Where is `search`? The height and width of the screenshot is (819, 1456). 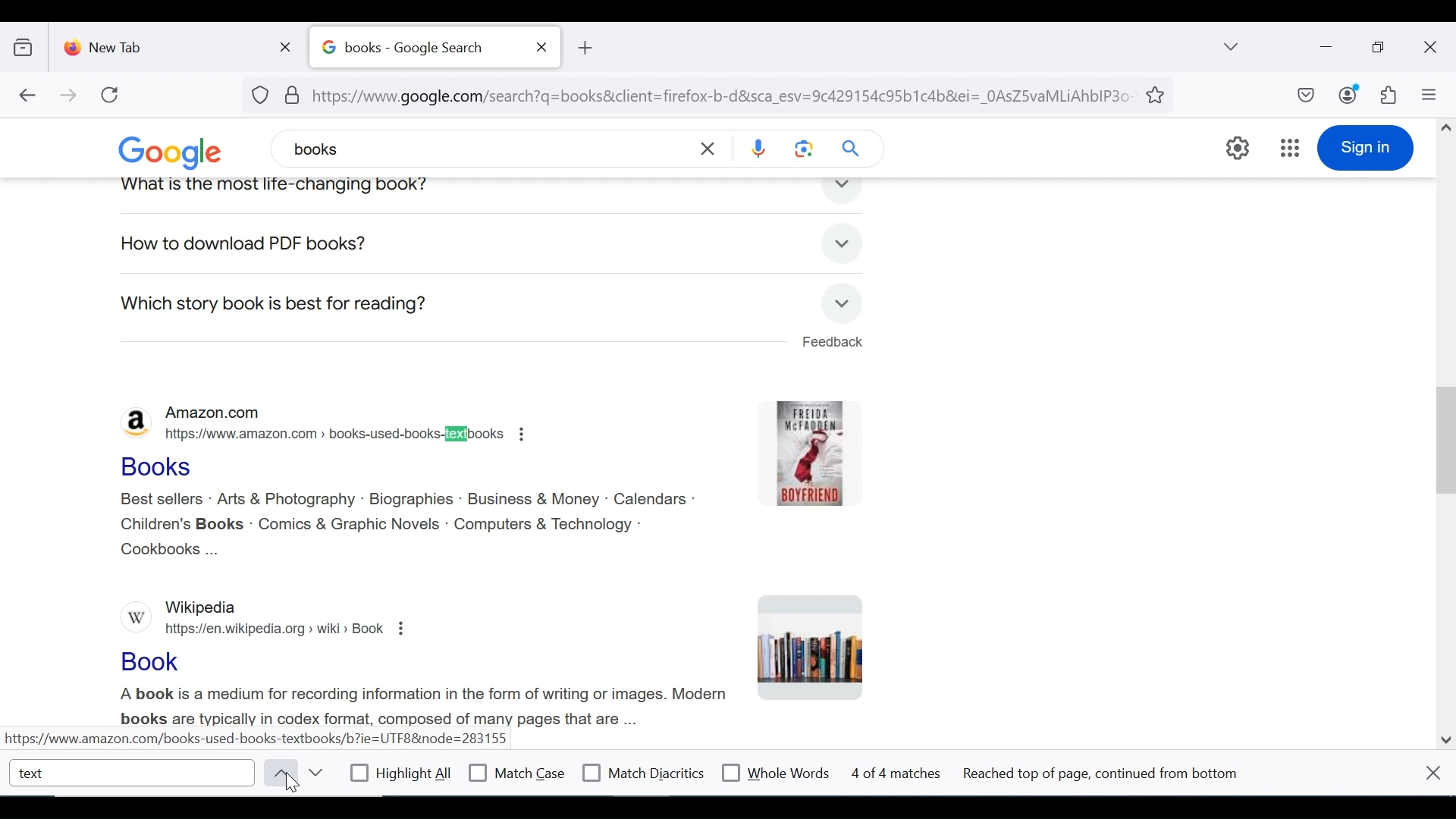
search is located at coordinates (853, 148).